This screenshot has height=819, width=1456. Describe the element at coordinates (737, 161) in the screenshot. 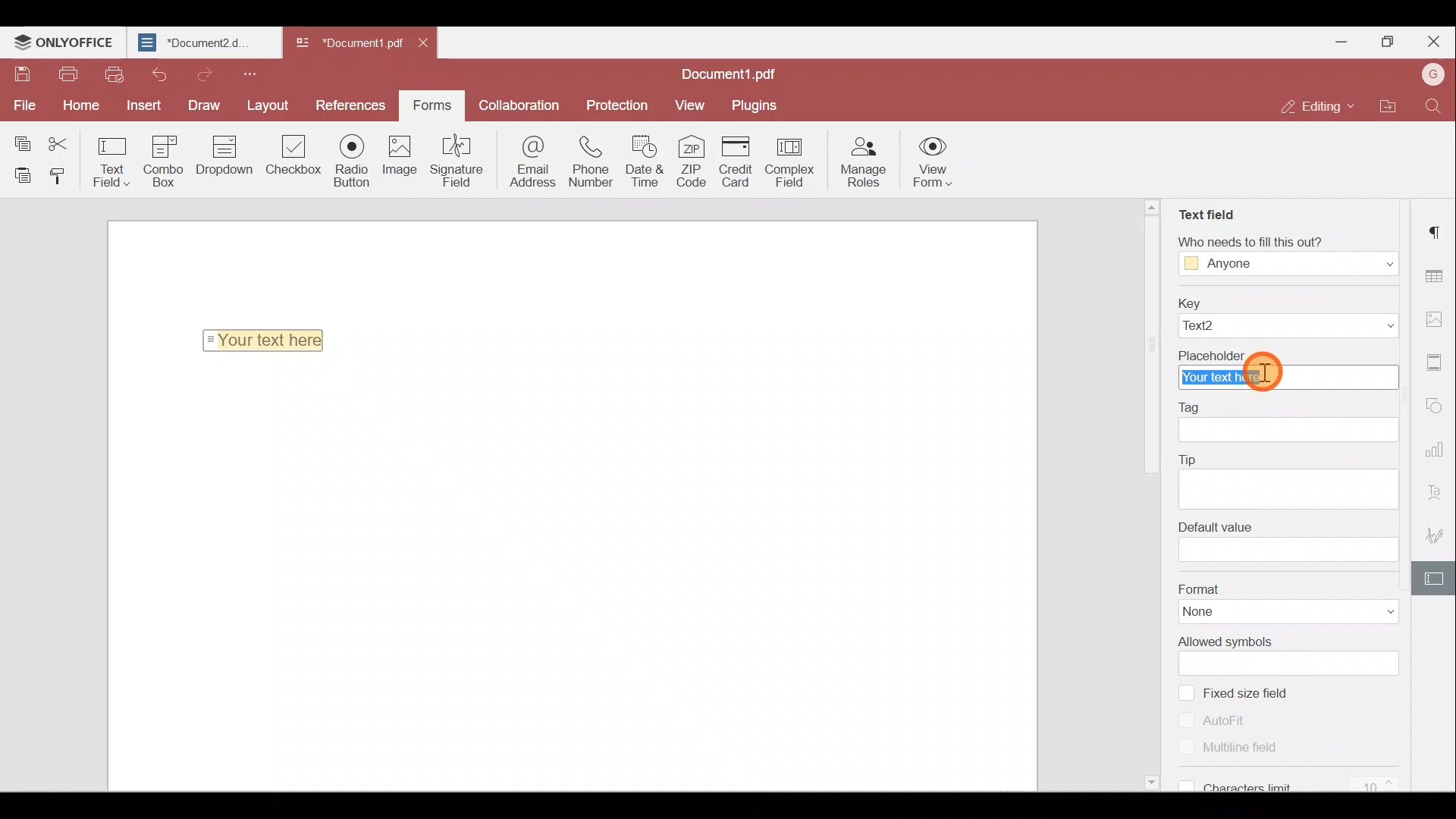

I see `Credit card` at that location.